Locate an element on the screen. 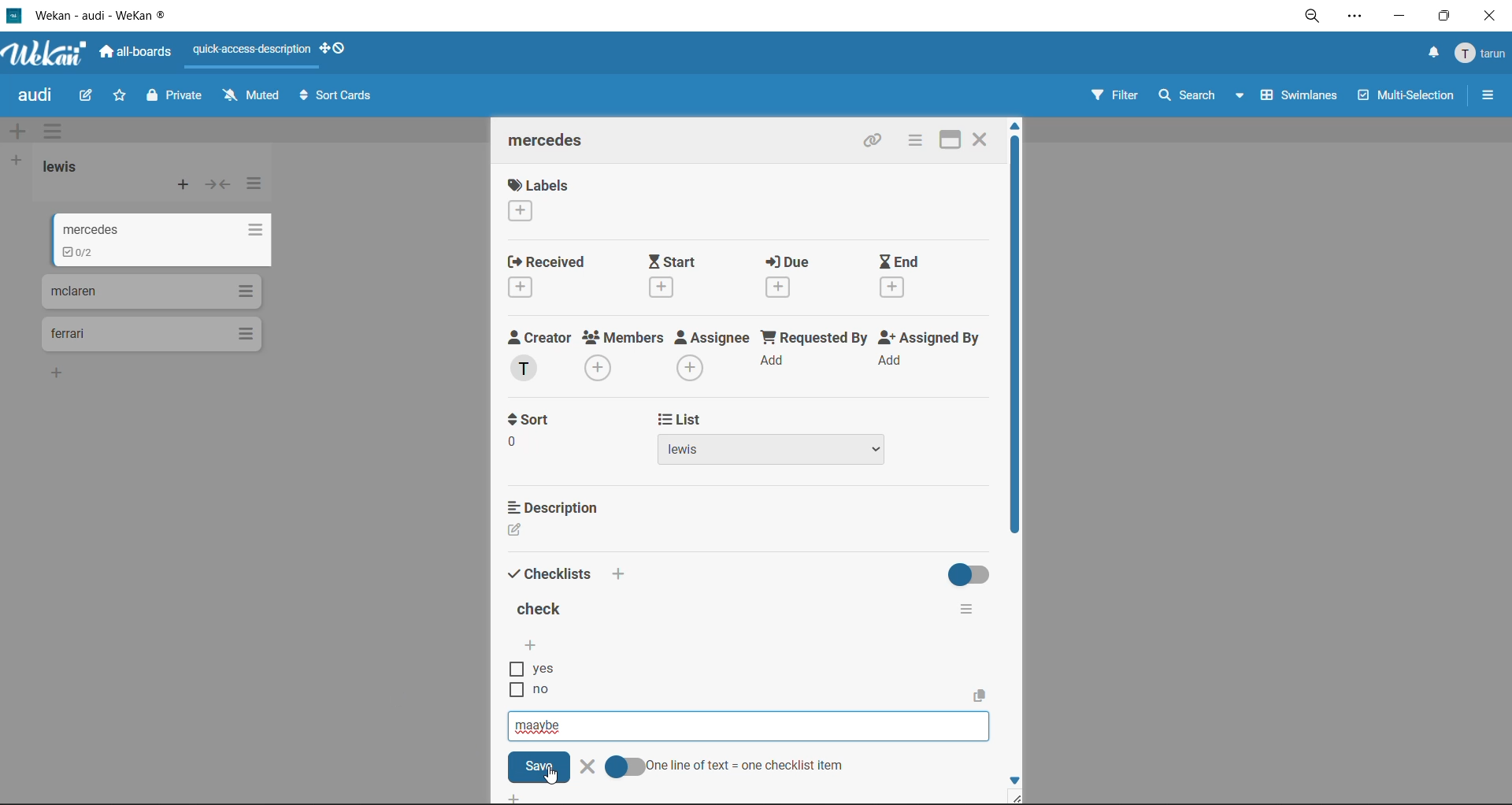  due is located at coordinates (789, 263).